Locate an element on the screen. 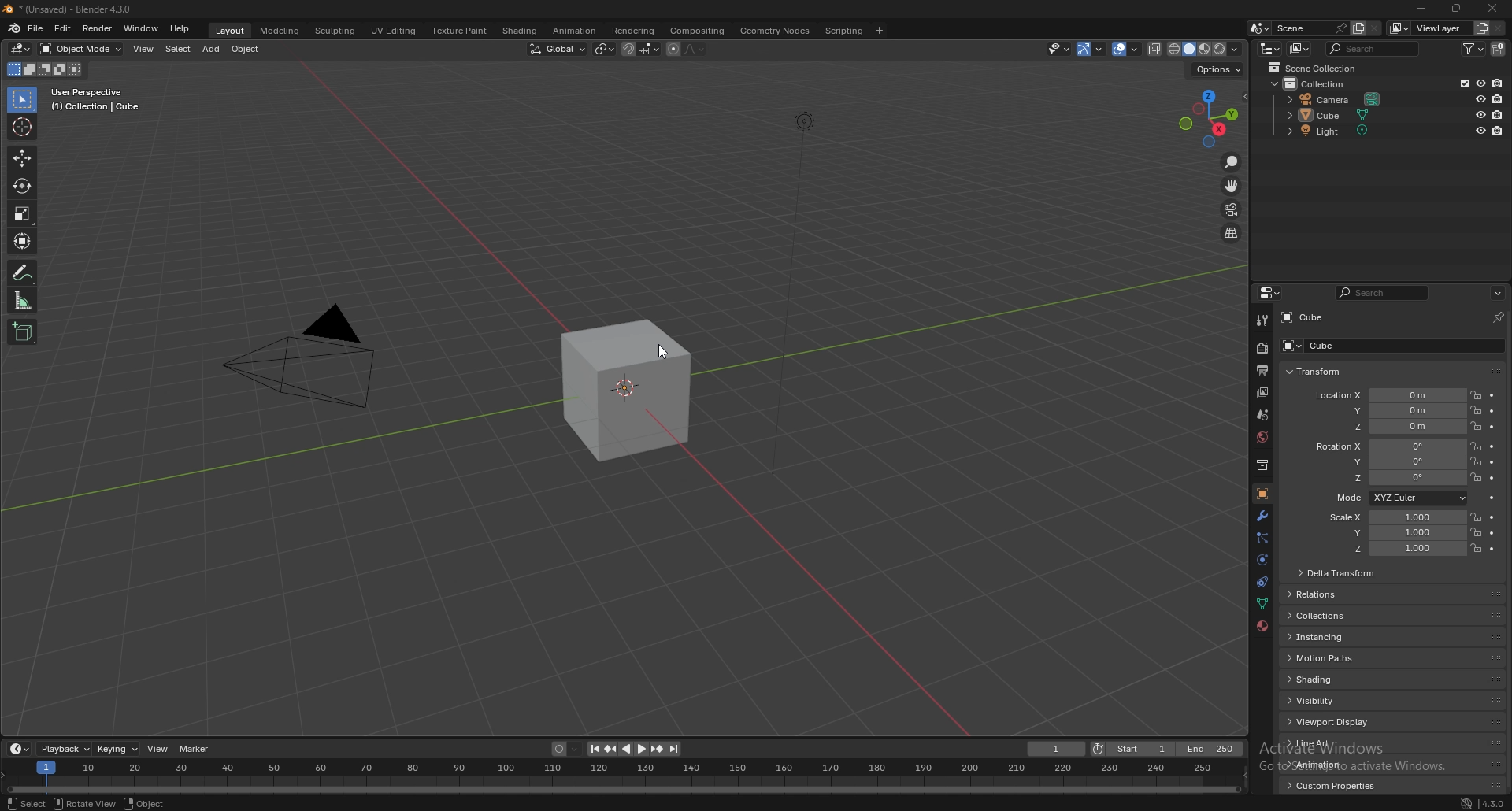 This screenshot has width=1512, height=811. mode is located at coordinates (44, 69).